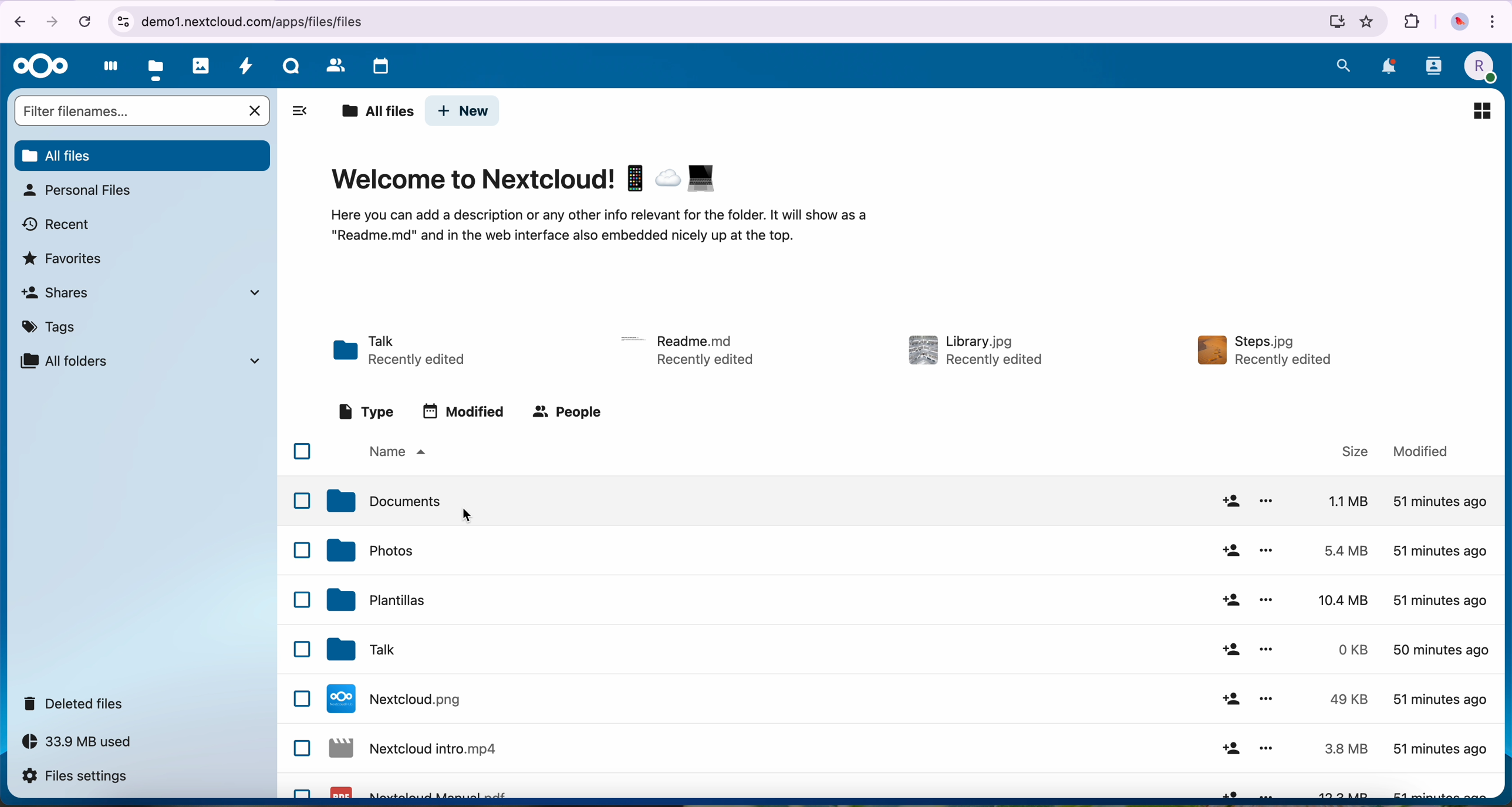  Describe the element at coordinates (77, 187) in the screenshot. I see `personal files` at that location.